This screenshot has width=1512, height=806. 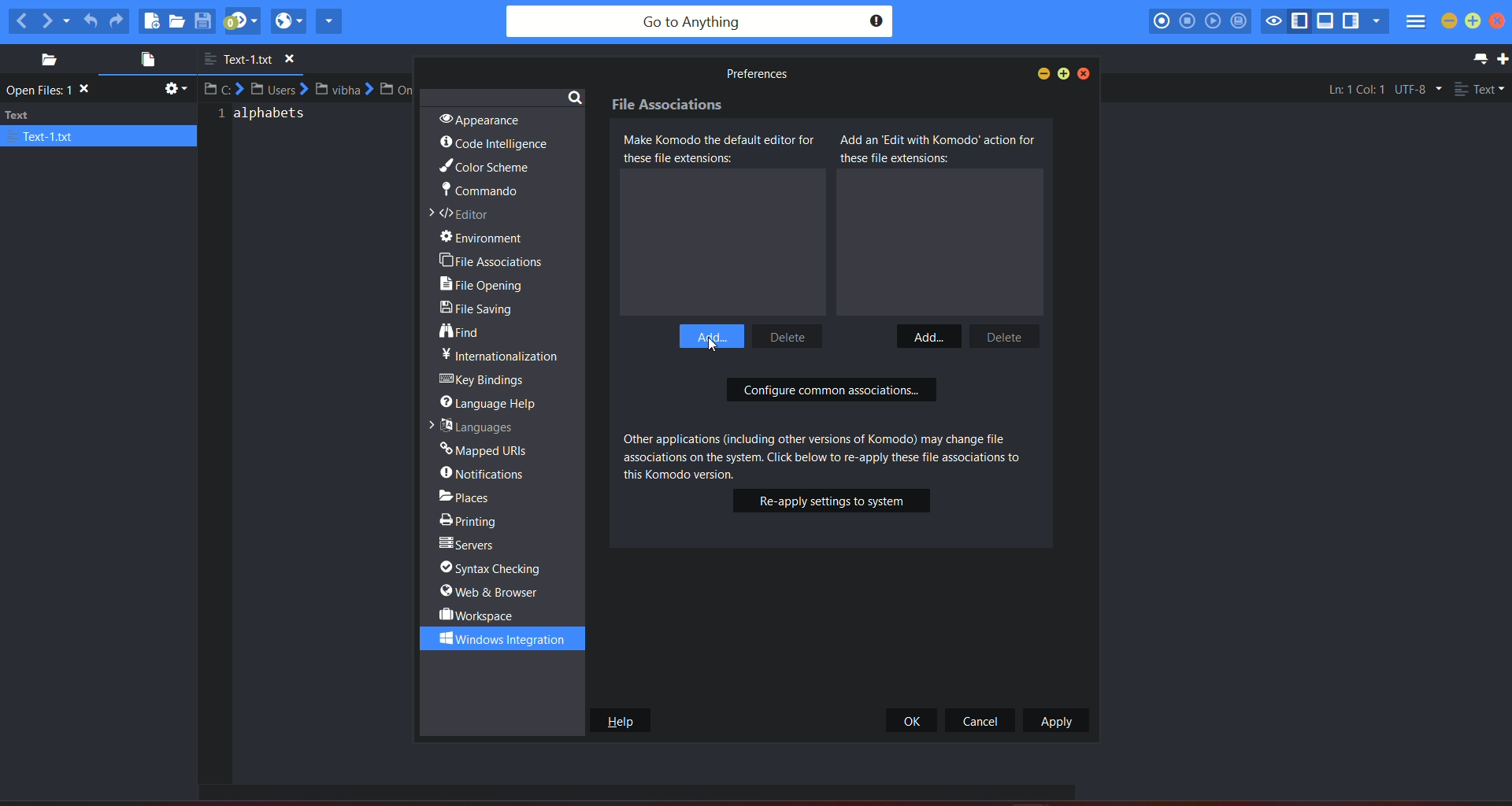 What do you see at coordinates (670, 106) in the screenshot?
I see `File Associations` at bounding box center [670, 106].